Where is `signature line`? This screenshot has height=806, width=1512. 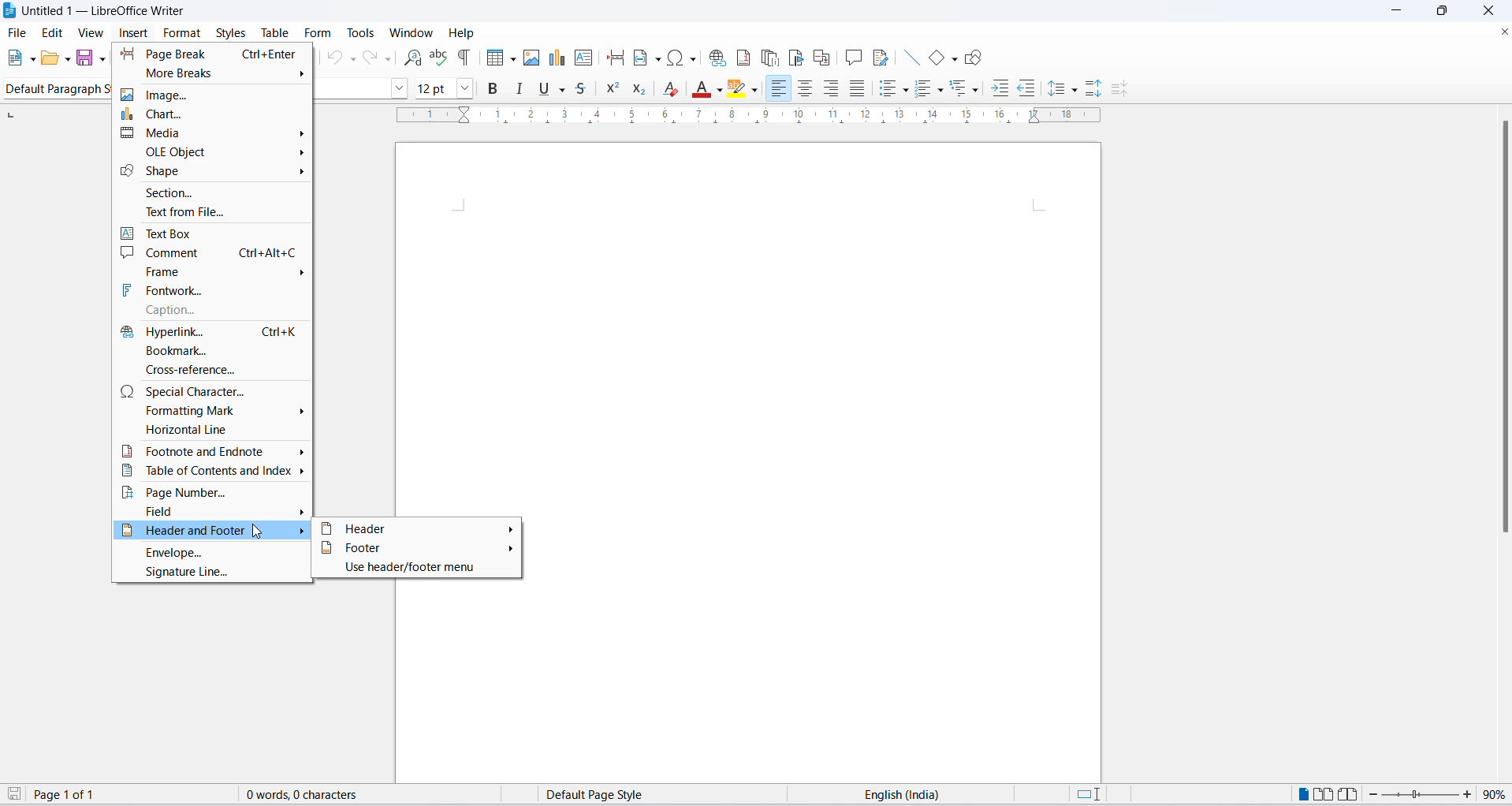
signature line is located at coordinates (210, 577).